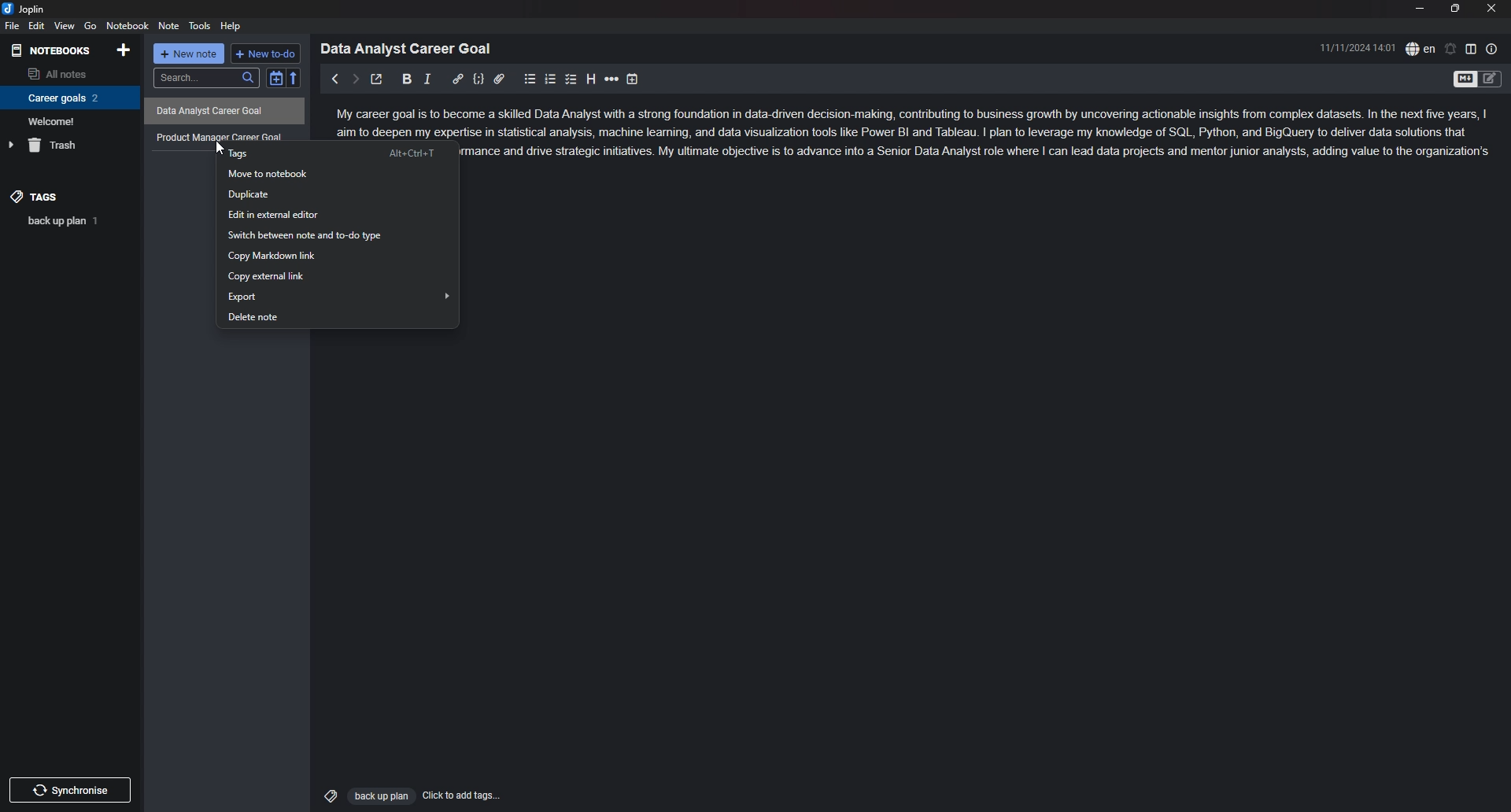 The height and width of the screenshot is (812, 1511). I want to click on delete note, so click(334, 317).